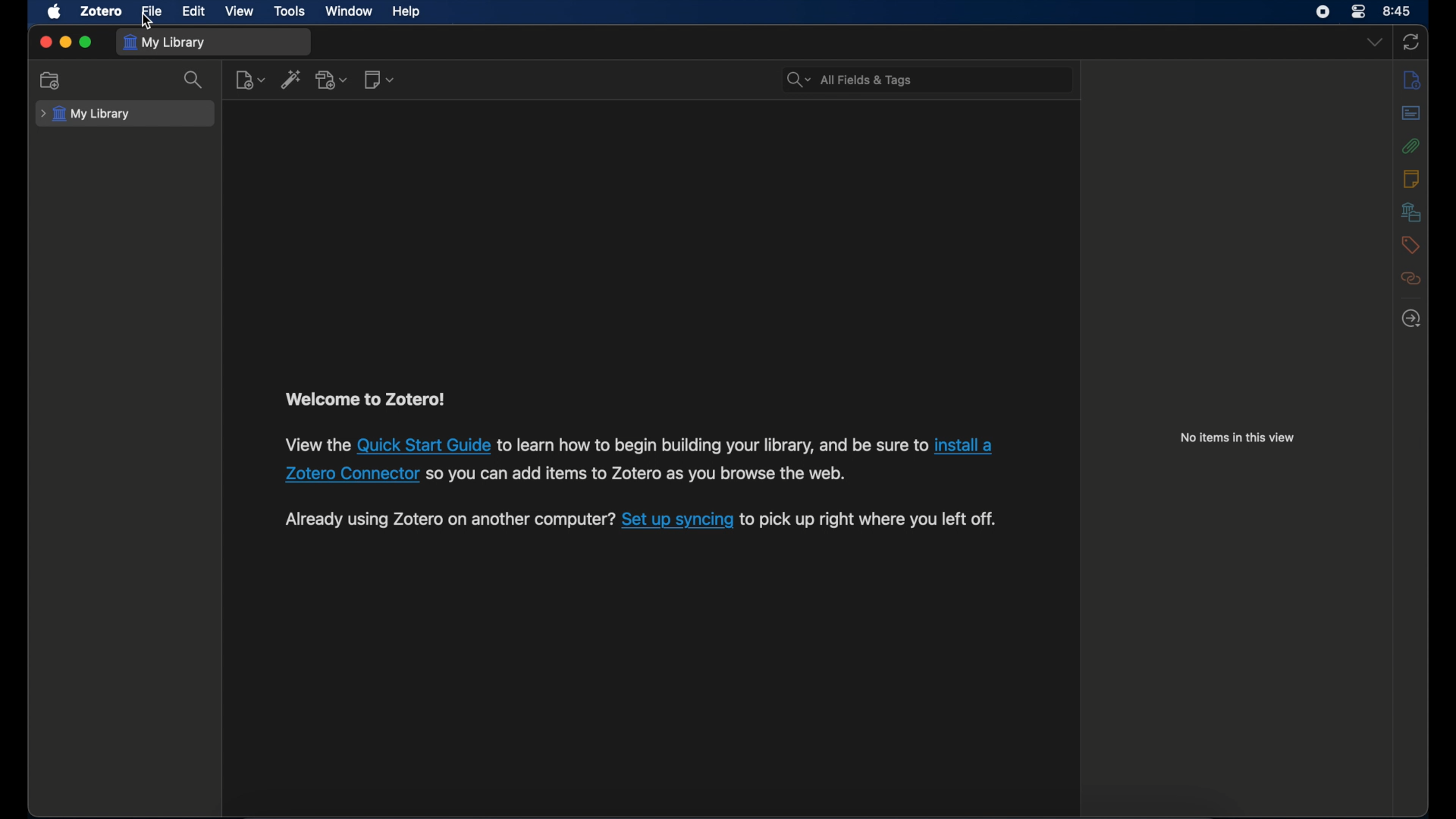  What do you see at coordinates (350, 472) in the screenshot?
I see `Zotero connector link` at bounding box center [350, 472].